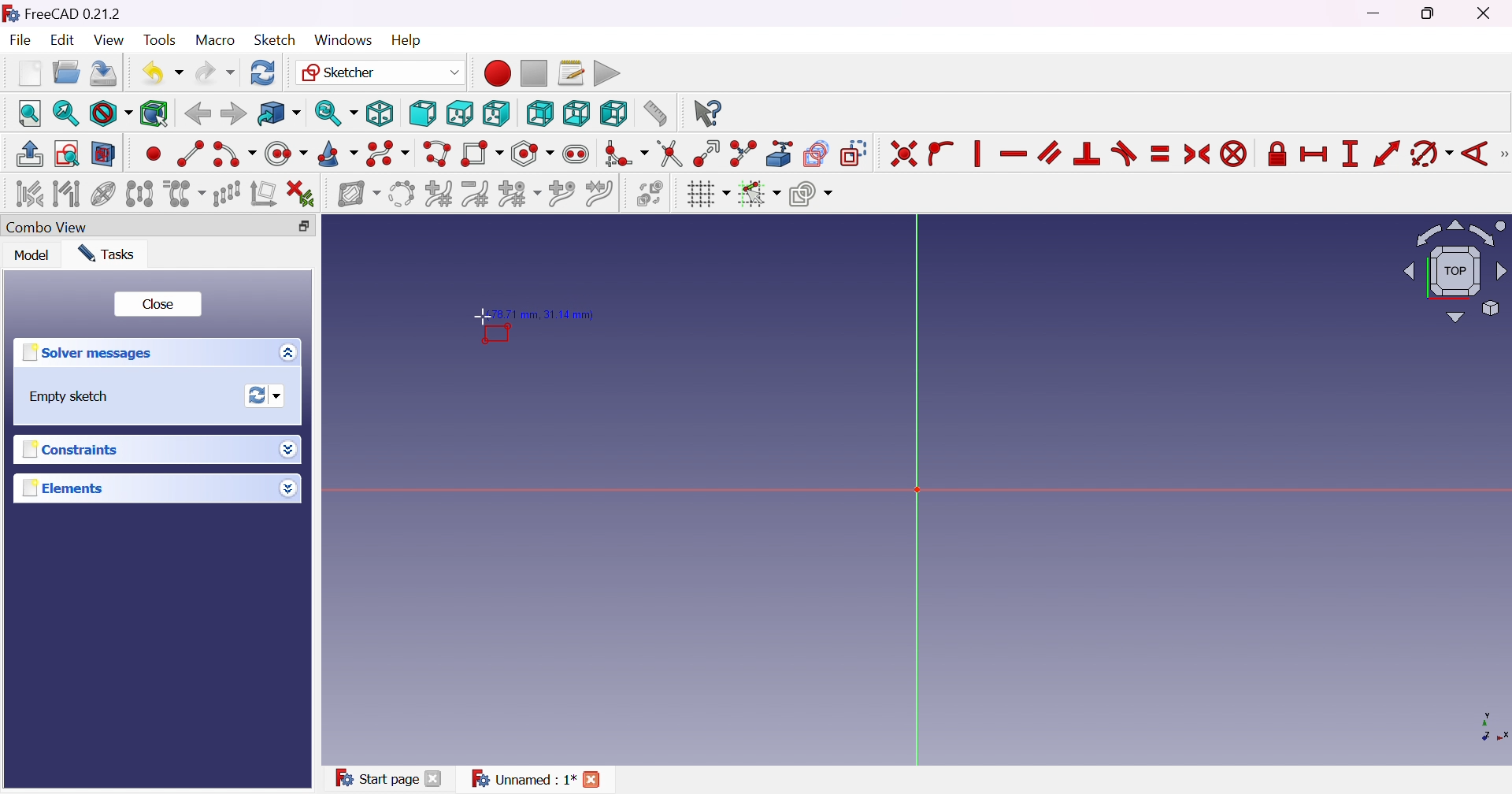 This screenshot has height=794, width=1512. I want to click on Create rectangle, so click(483, 155).